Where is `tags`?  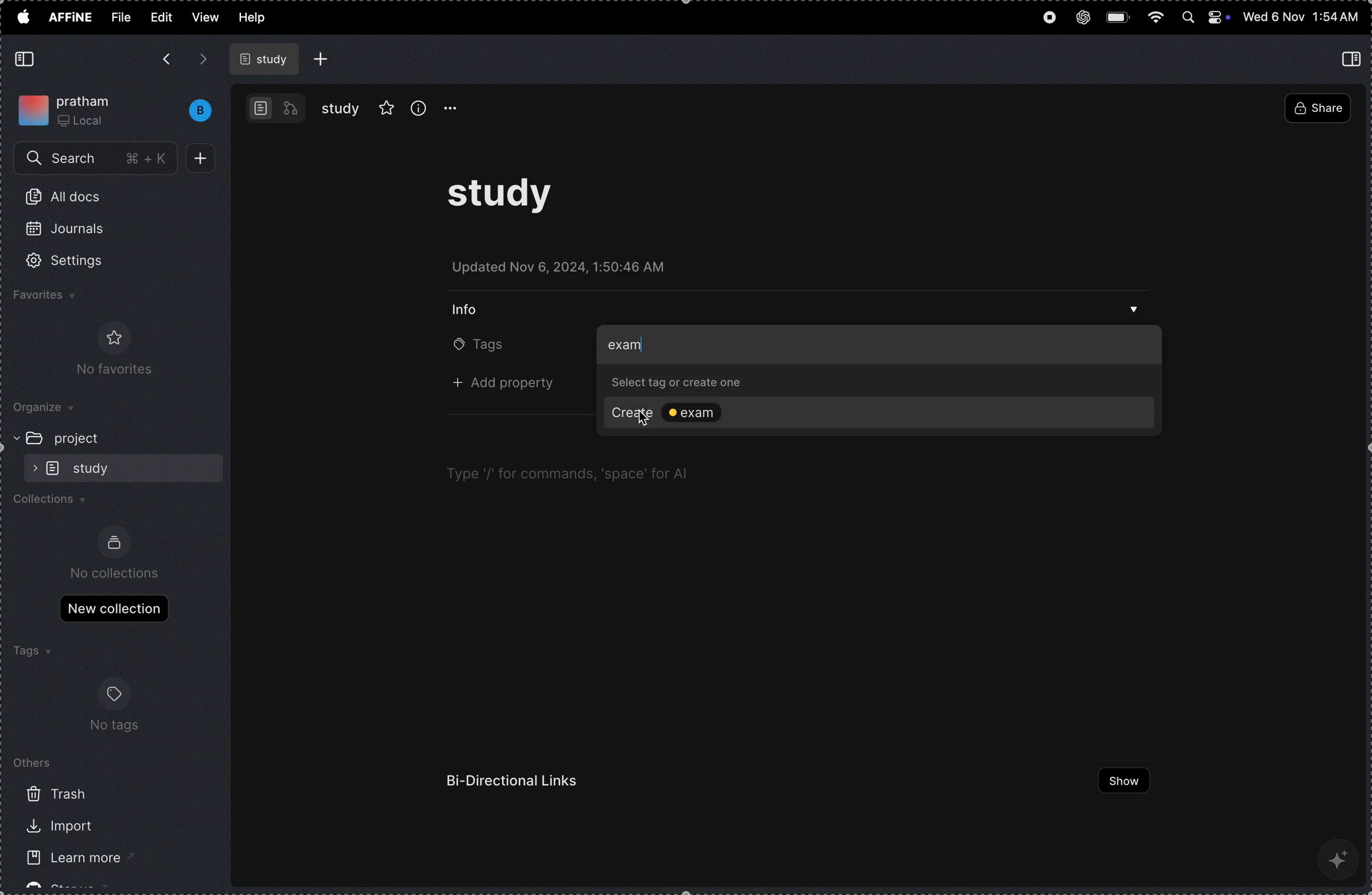 tags is located at coordinates (31, 652).